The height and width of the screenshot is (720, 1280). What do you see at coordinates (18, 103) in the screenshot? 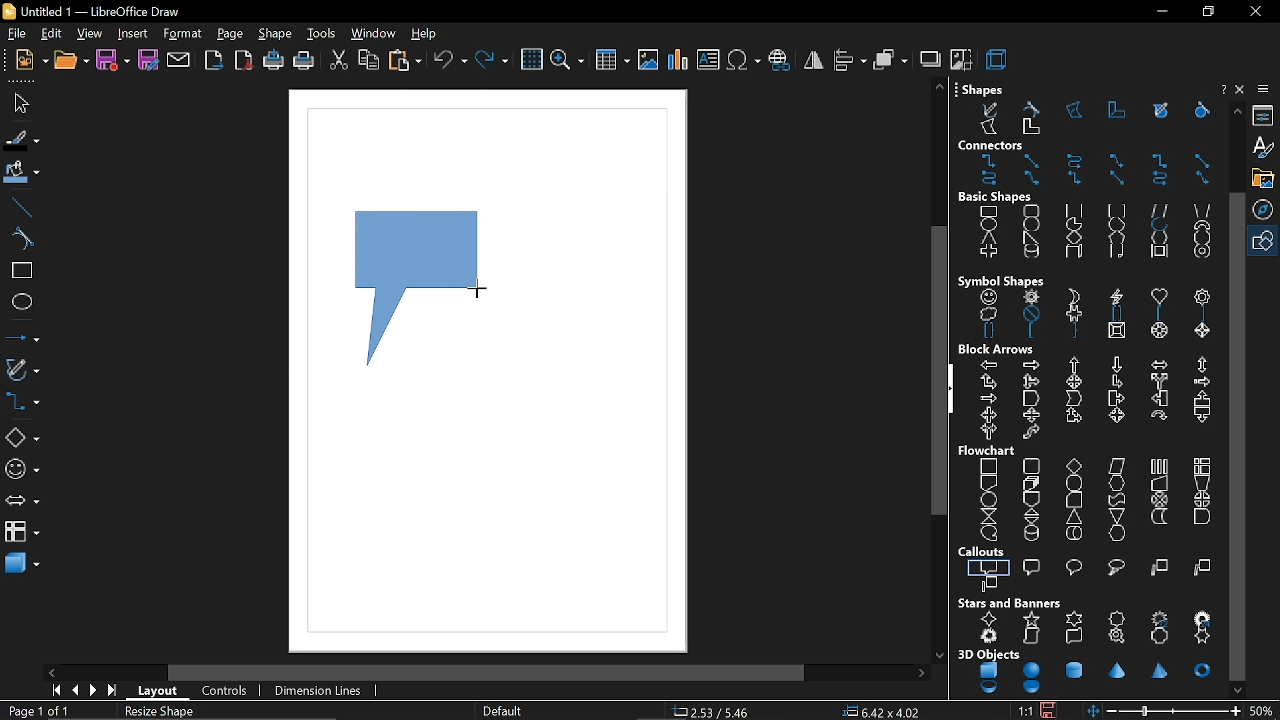
I see `select` at bounding box center [18, 103].